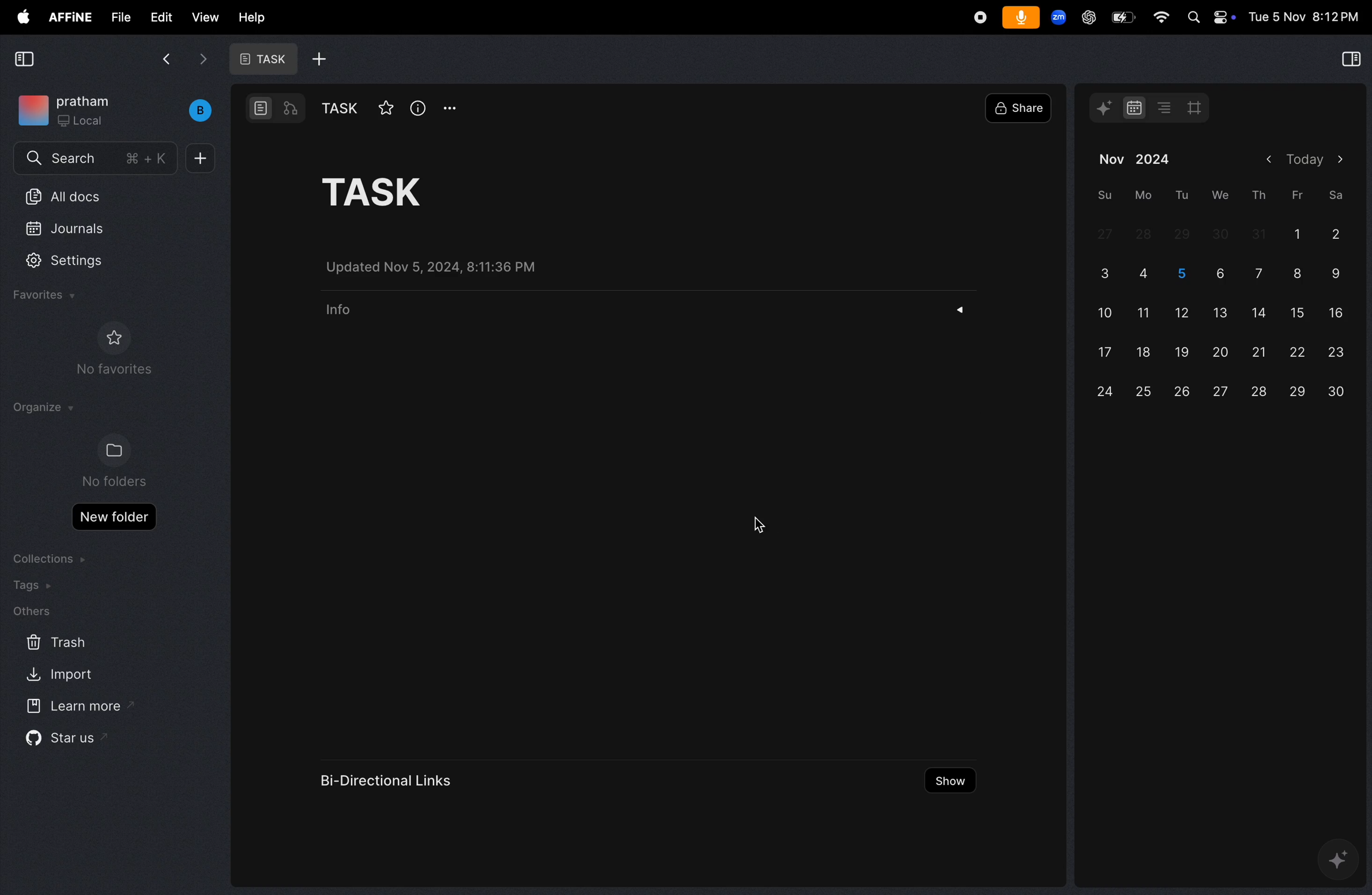 This screenshot has width=1372, height=895. Describe the element at coordinates (24, 60) in the screenshot. I see `collapse side bar` at that location.